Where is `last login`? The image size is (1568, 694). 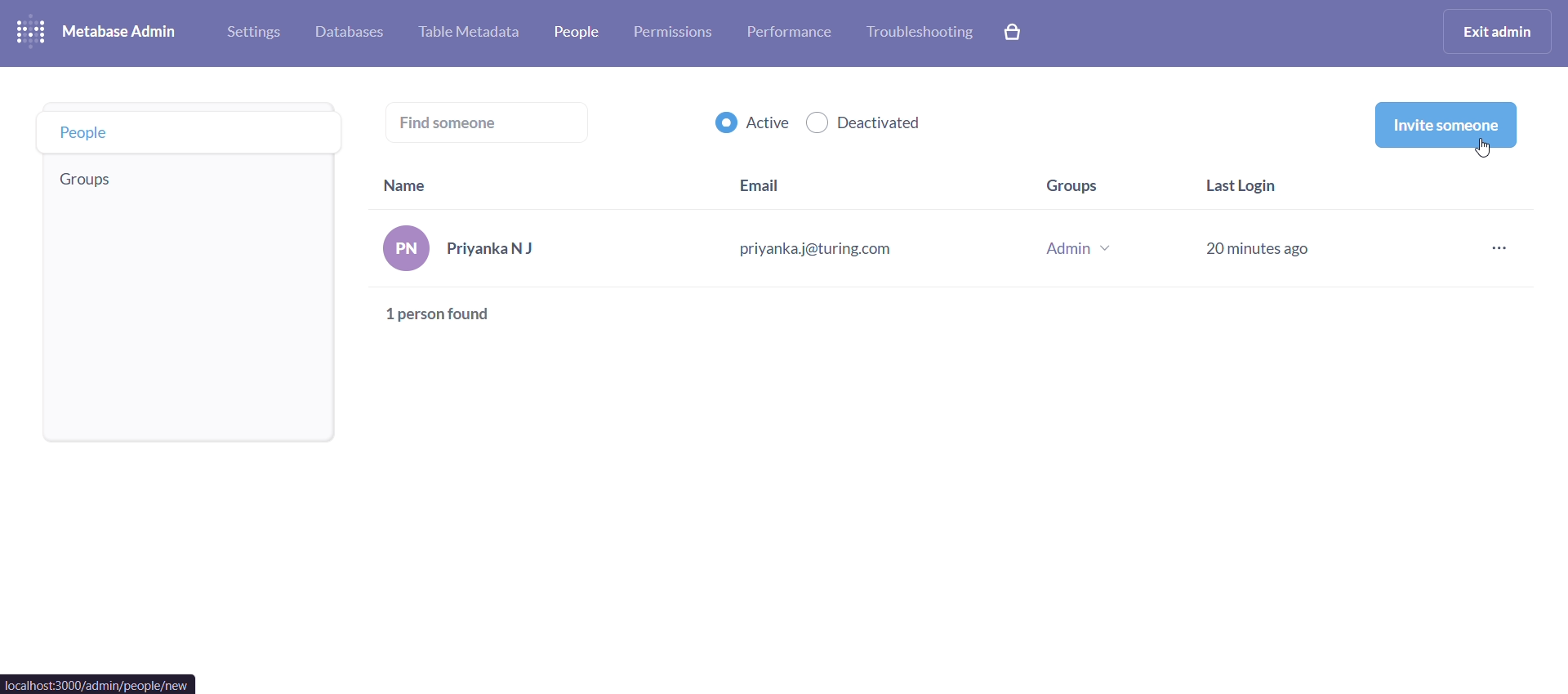
last login is located at coordinates (1249, 188).